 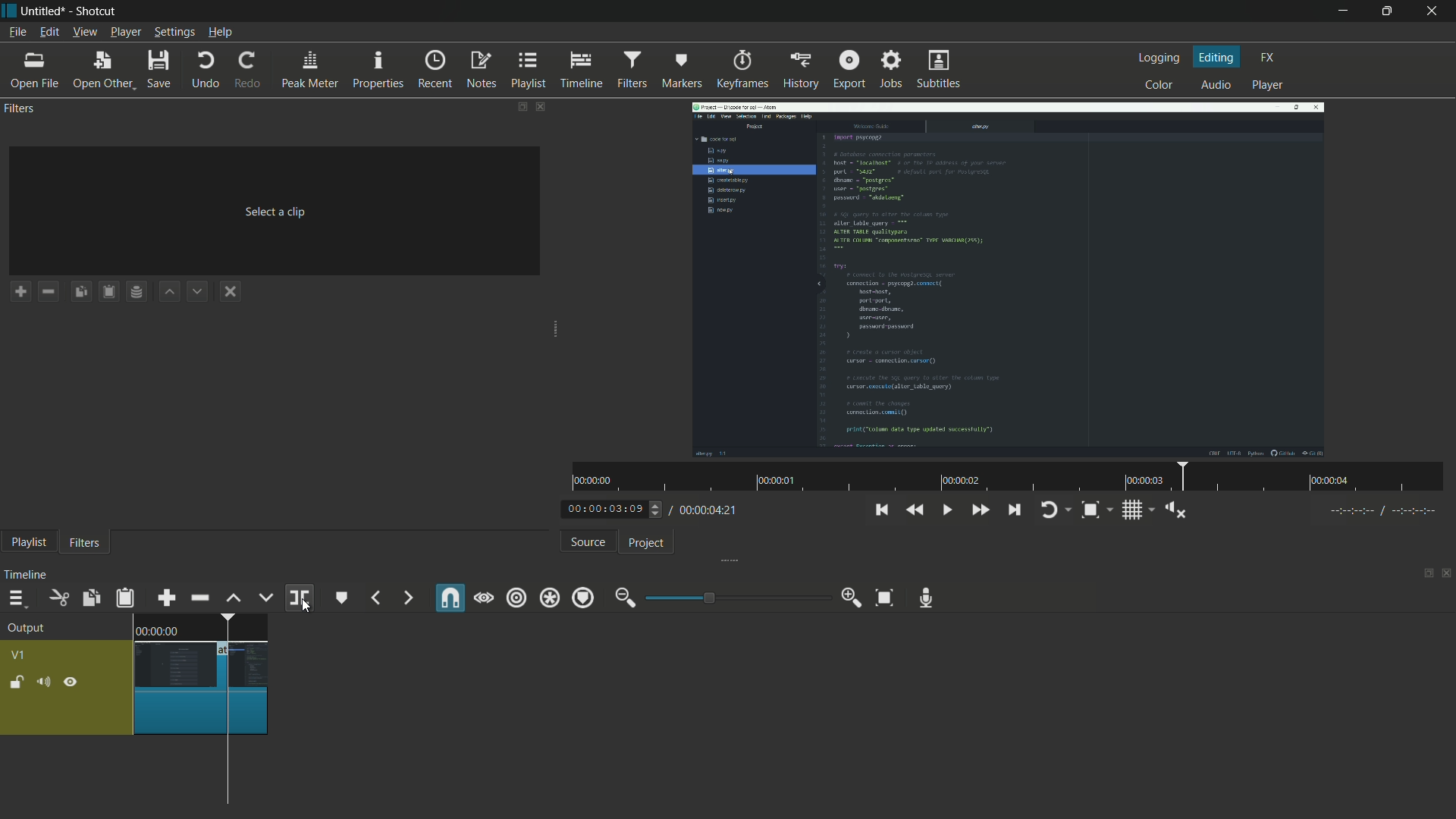 What do you see at coordinates (1048, 510) in the screenshot?
I see `toggle player looping` at bounding box center [1048, 510].